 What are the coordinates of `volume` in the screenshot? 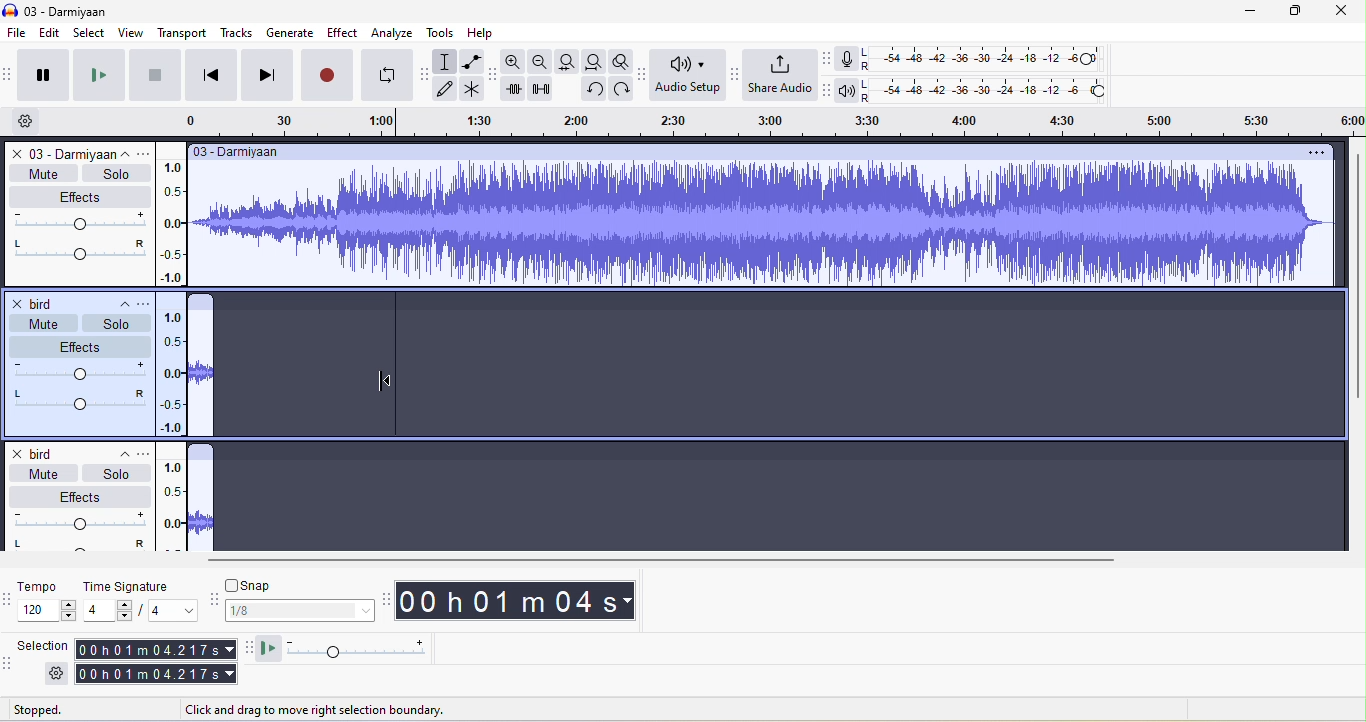 It's located at (76, 371).